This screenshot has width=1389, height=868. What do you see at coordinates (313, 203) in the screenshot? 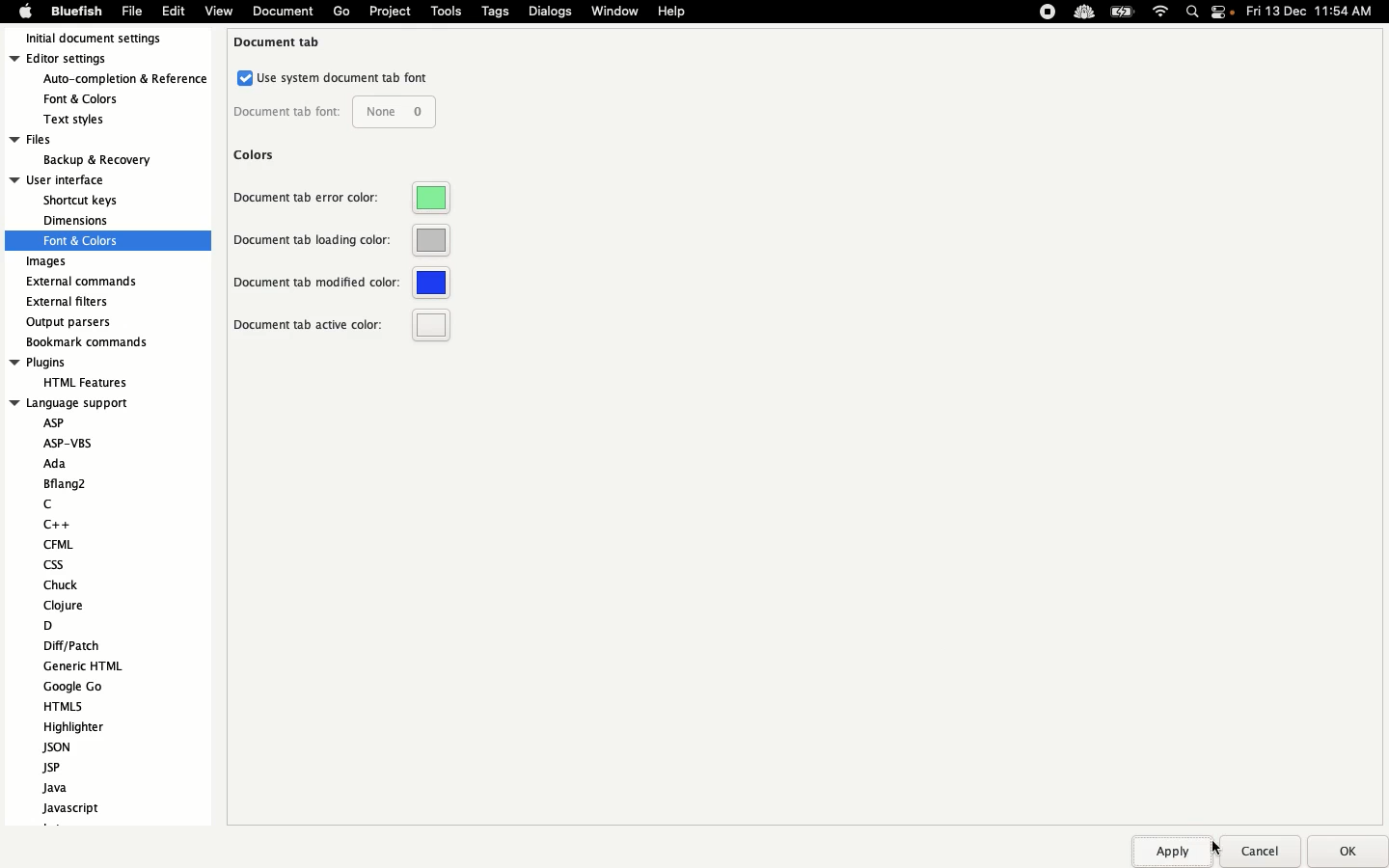
I see `Document tab error color` at bounding box center [313, 203].